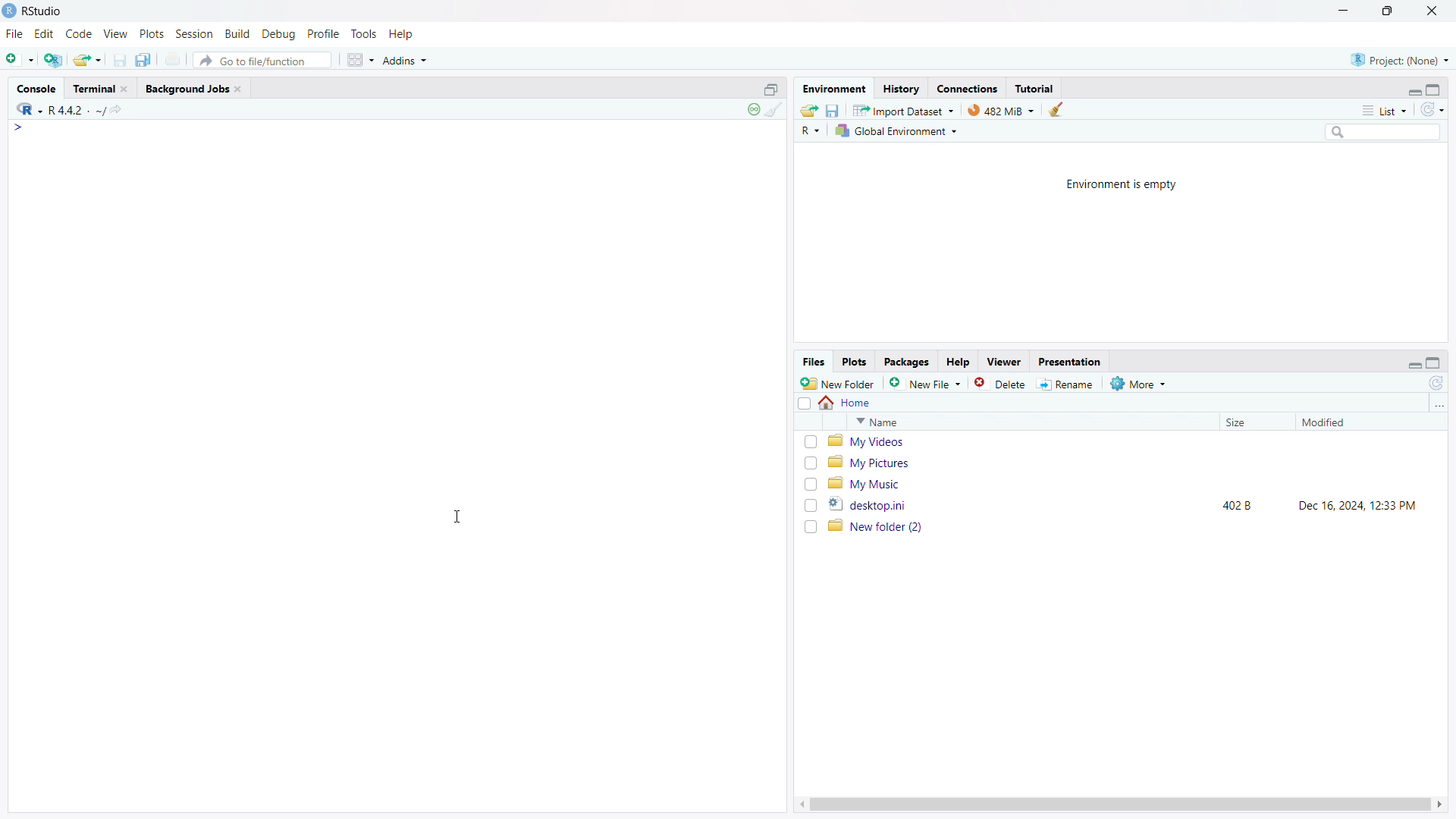 The width and height of the screenshot is (1456, 819). I want to click on my videos, so click(1131, 441).